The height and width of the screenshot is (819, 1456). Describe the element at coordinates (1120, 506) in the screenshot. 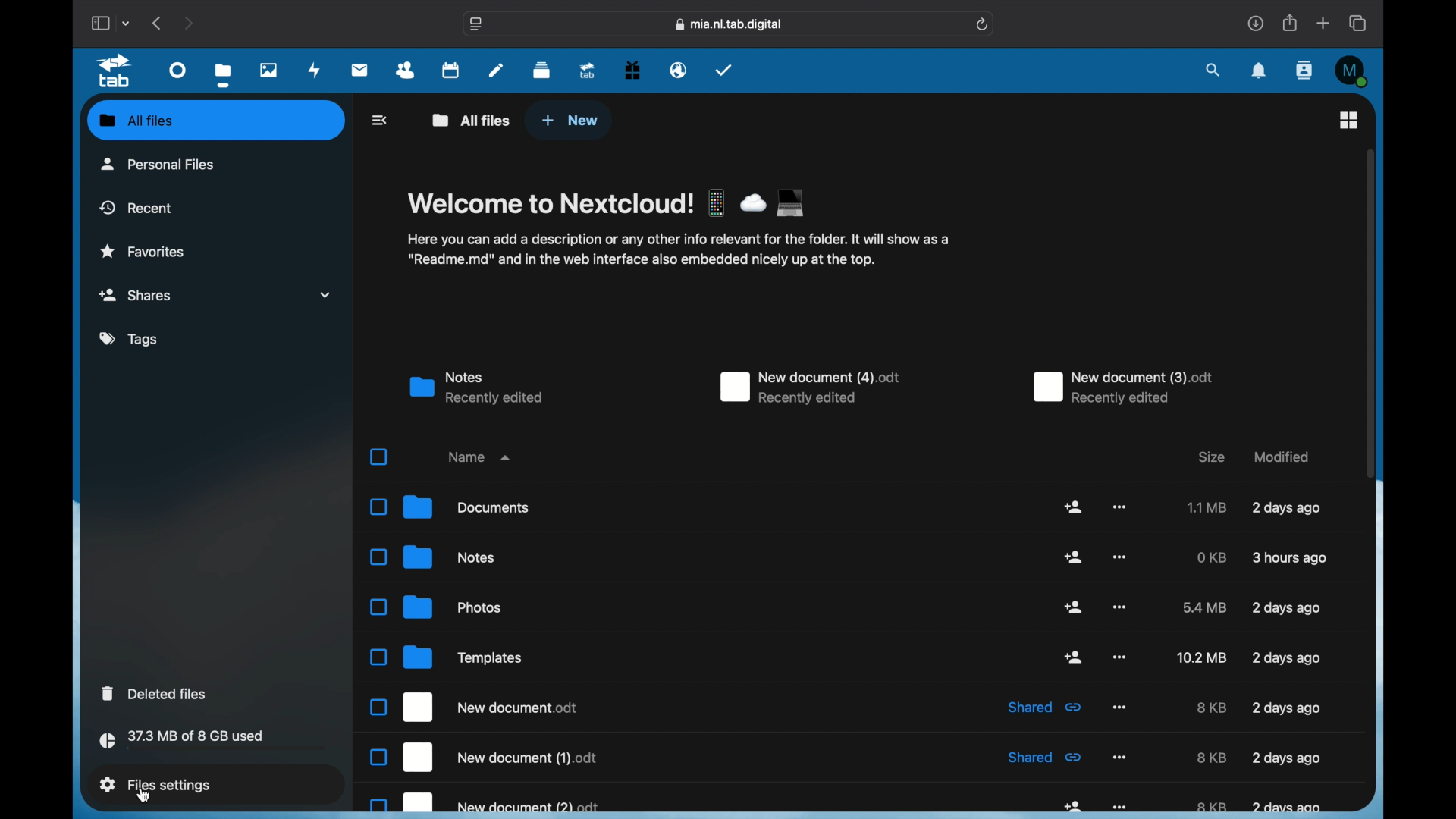

I see `more options` at that location.